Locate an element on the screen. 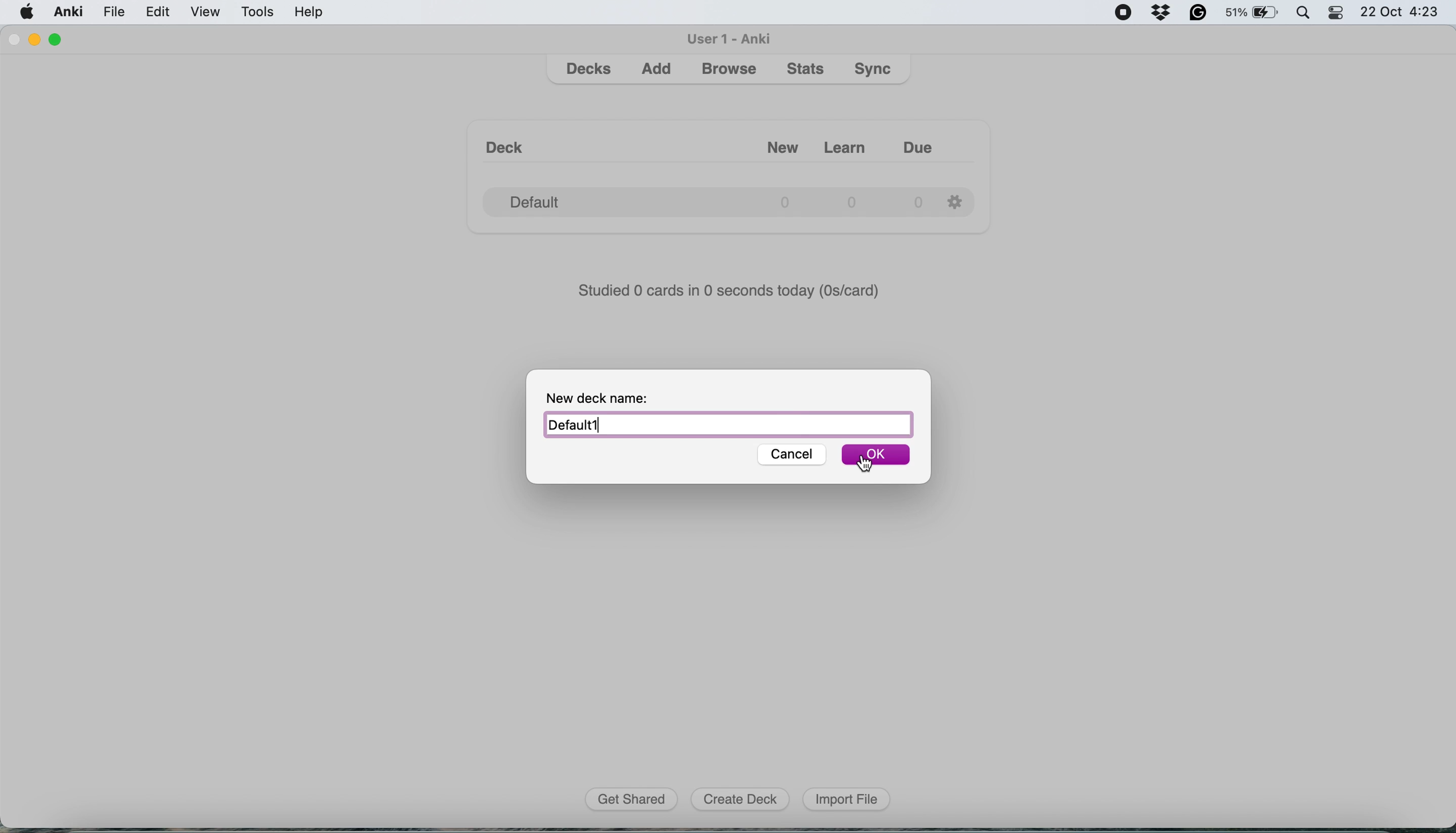  Due is located at coordinates (929, 142).